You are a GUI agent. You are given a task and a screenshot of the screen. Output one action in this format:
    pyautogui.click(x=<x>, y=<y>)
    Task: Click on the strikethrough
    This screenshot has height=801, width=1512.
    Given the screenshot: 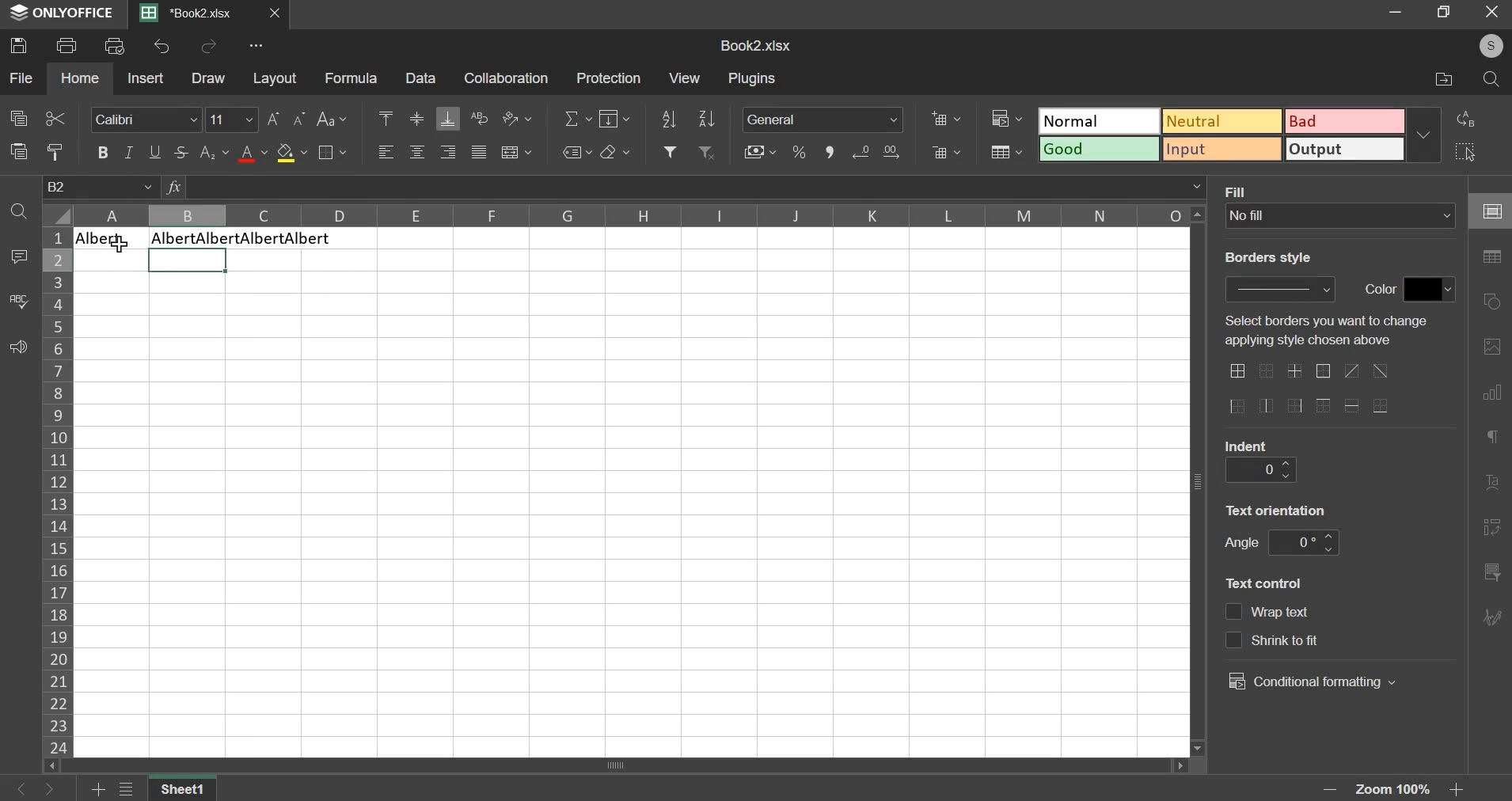 What is the action you would take?
    pyautogui.click(x=184, y=152)
    